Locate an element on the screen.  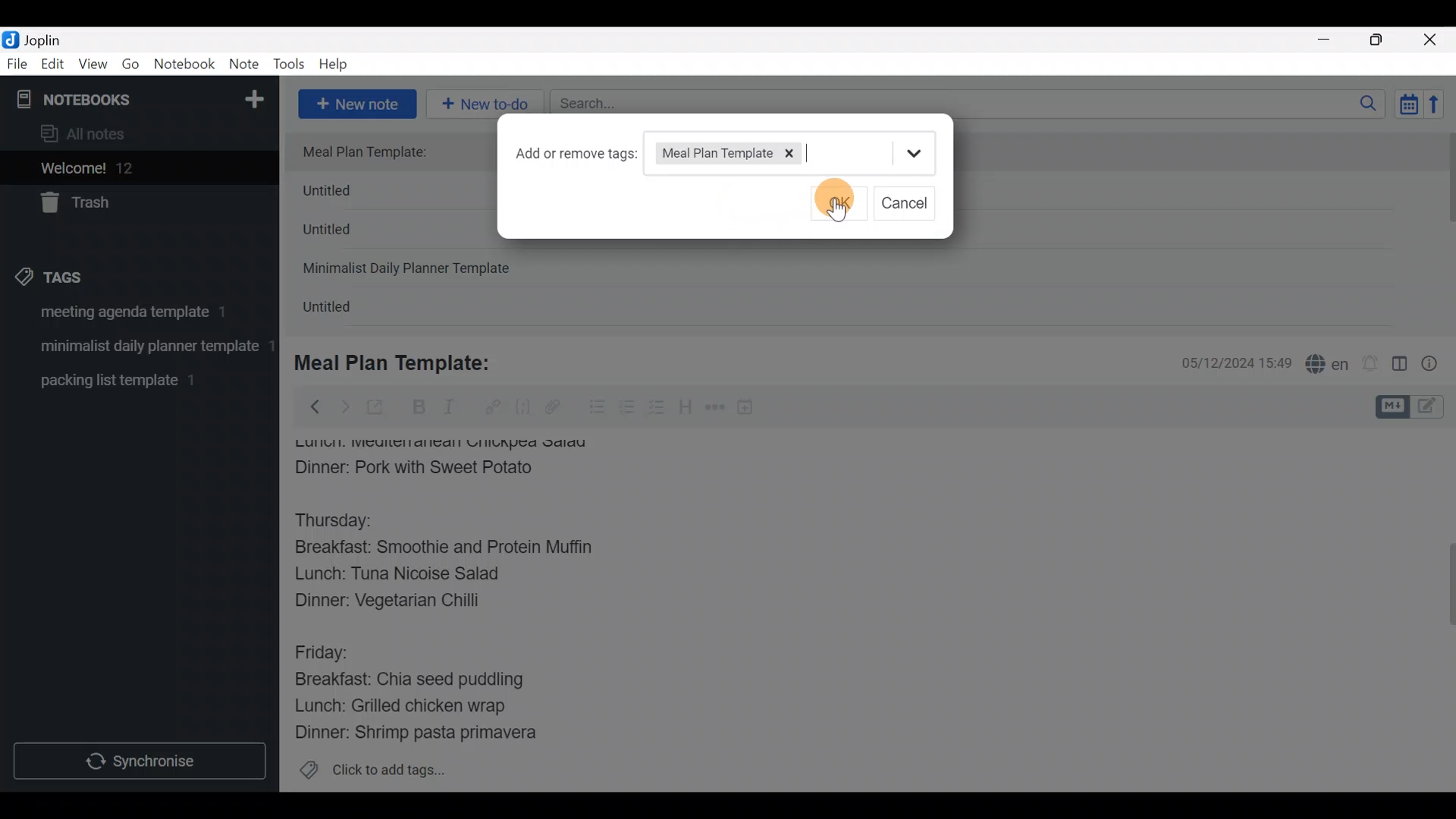
Back is located at coordinates (309, 406).